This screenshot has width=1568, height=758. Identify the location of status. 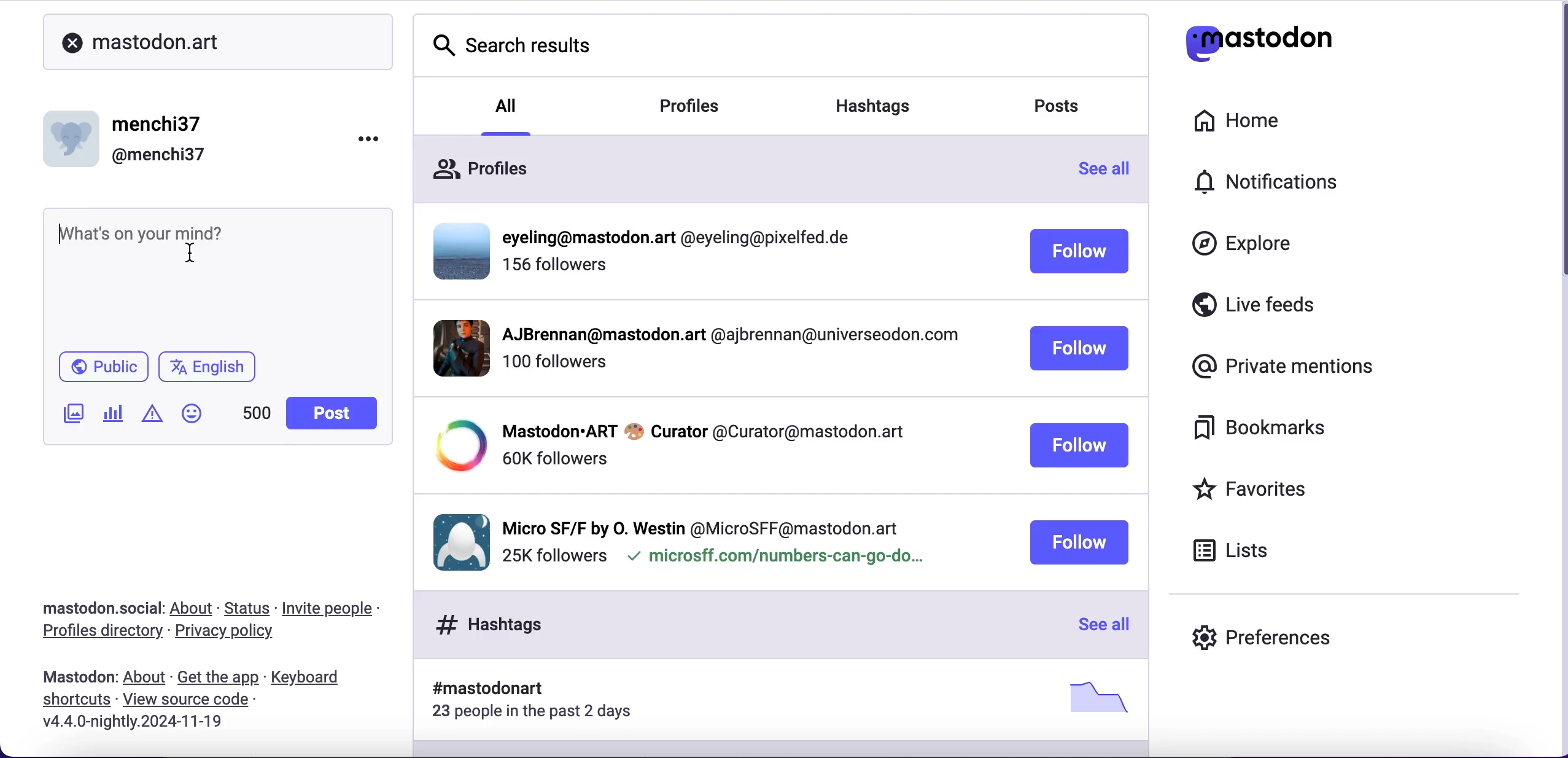
(246, 609).